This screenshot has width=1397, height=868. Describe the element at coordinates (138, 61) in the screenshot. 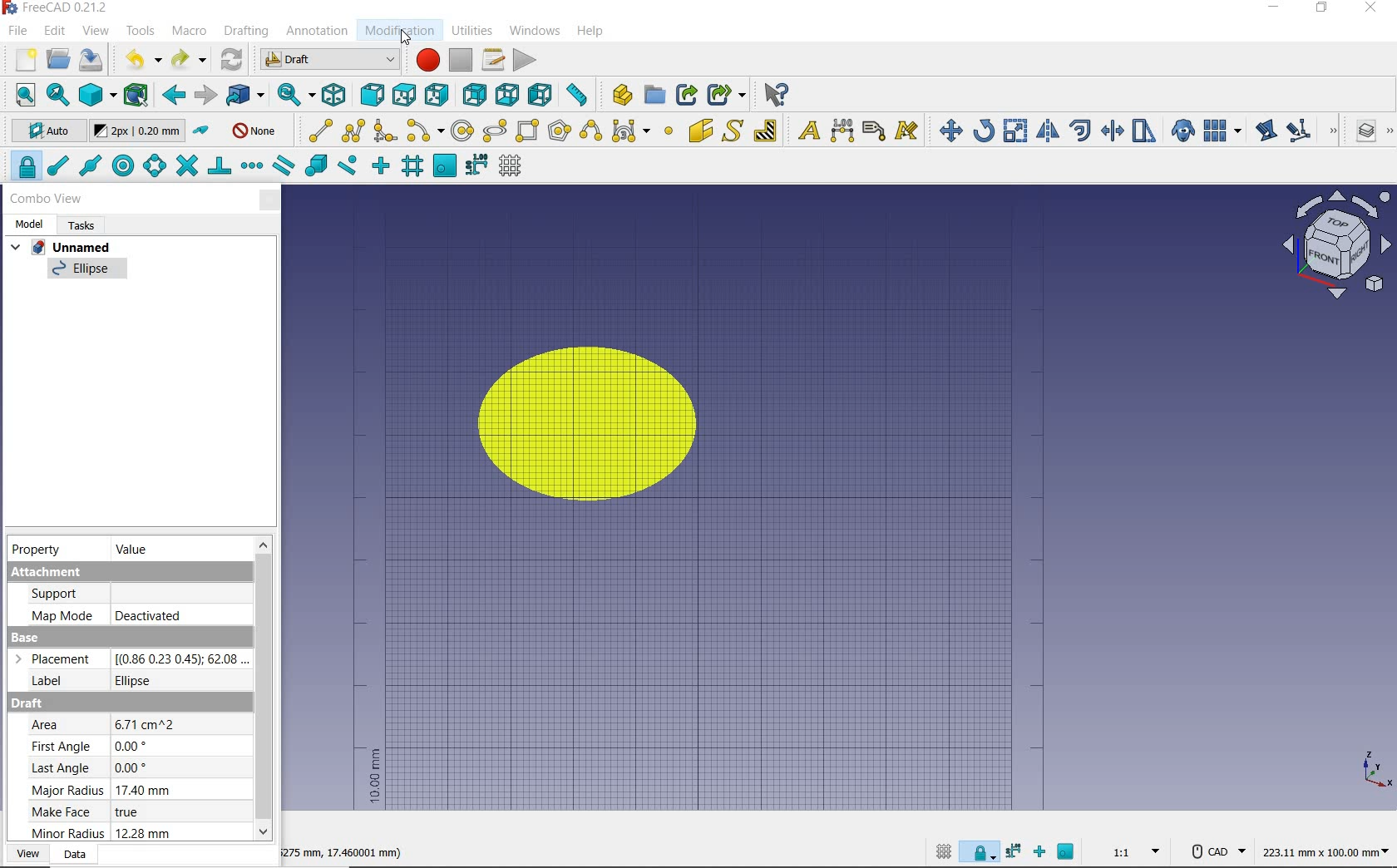

I see `undo` at that location.